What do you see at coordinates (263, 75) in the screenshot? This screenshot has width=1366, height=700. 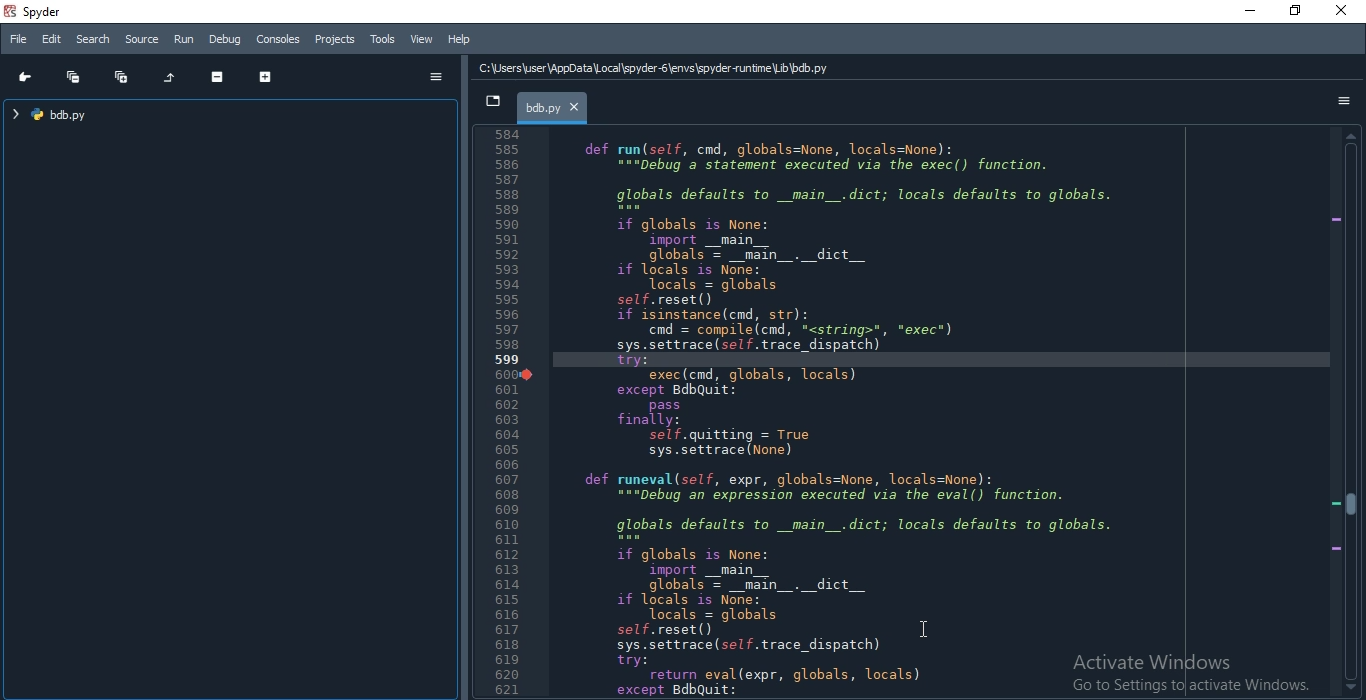 I see `Expand section ` at bounding box center [263, 75].